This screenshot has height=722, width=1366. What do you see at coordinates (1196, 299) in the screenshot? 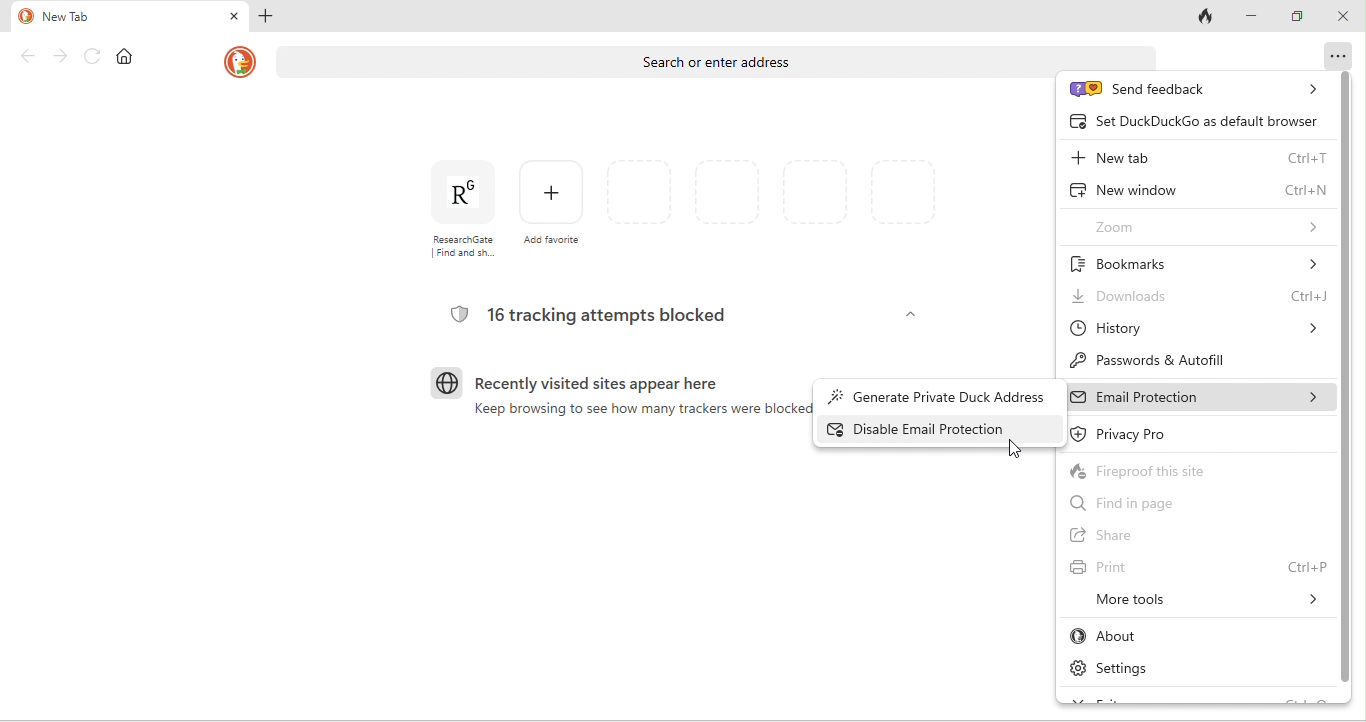
I see `downloads` at bounding box center [1196, 299].